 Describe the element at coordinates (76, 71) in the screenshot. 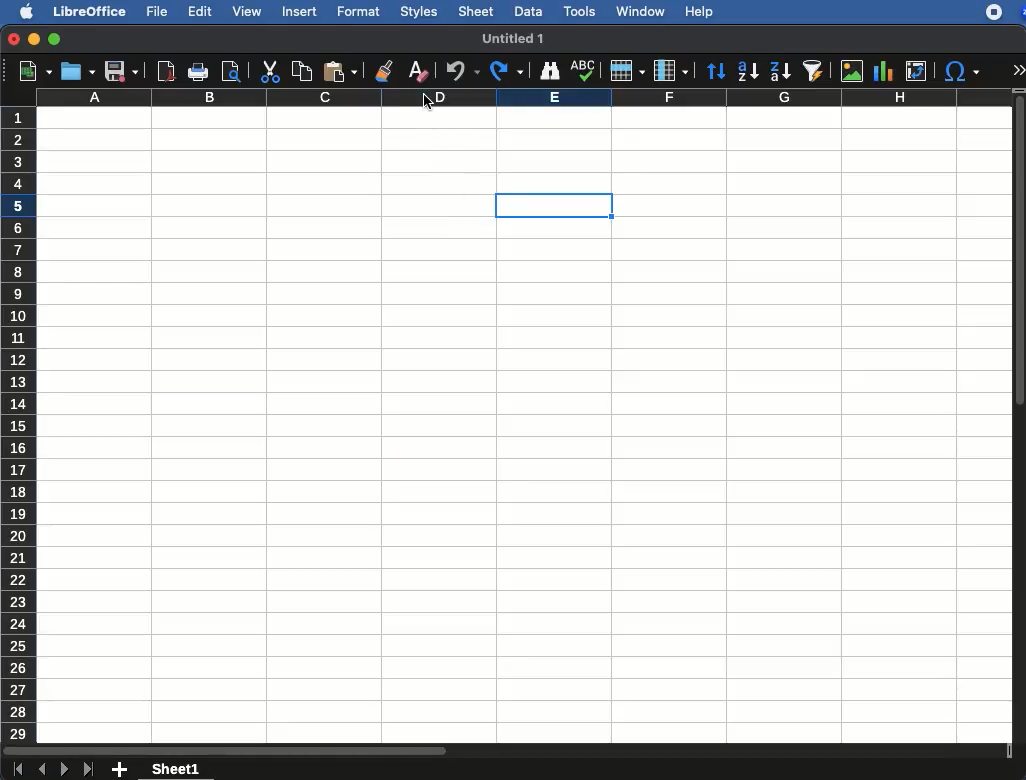

I see `save` at that location.